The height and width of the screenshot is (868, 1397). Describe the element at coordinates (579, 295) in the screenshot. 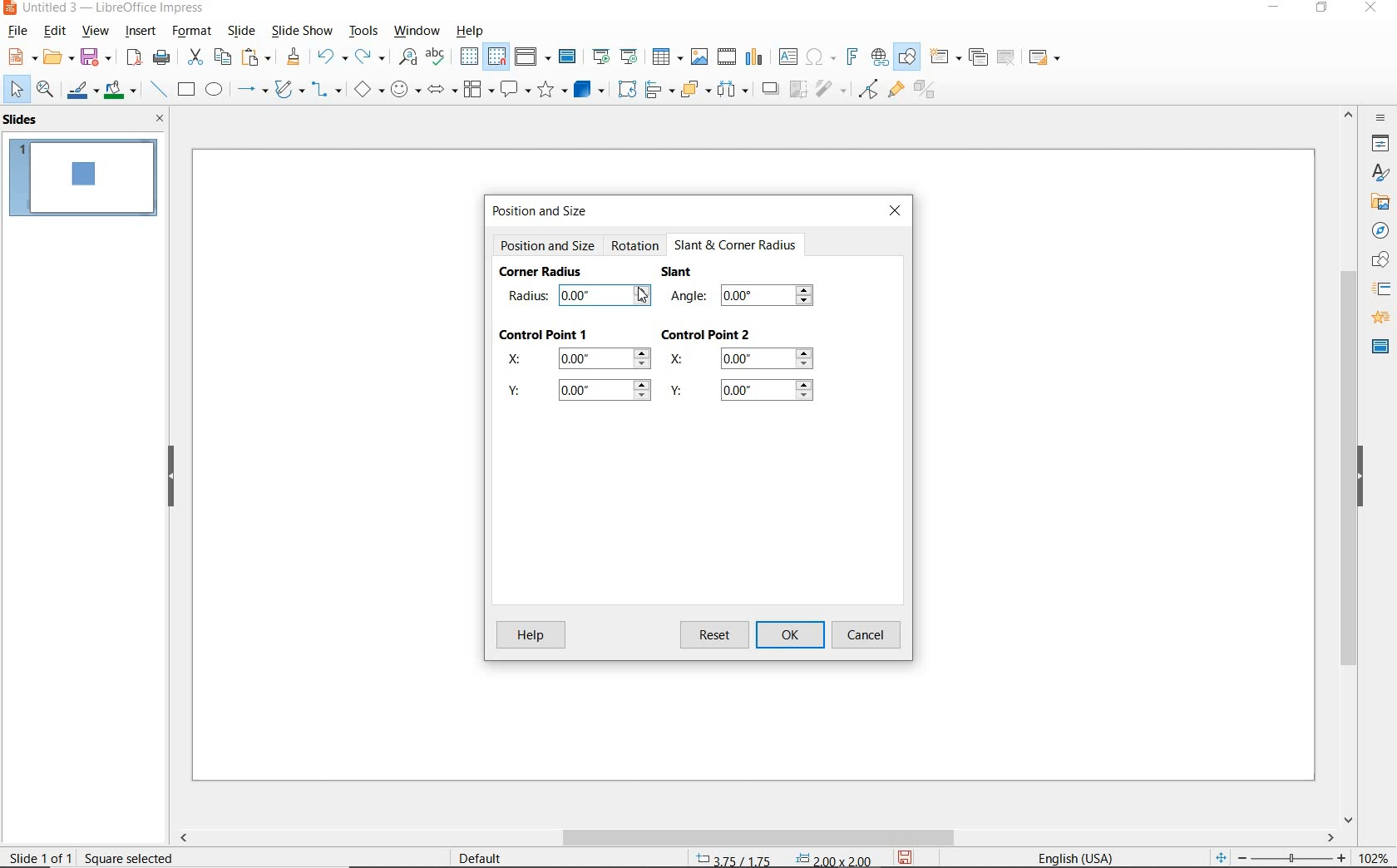

I see `RADIUS` at that location.